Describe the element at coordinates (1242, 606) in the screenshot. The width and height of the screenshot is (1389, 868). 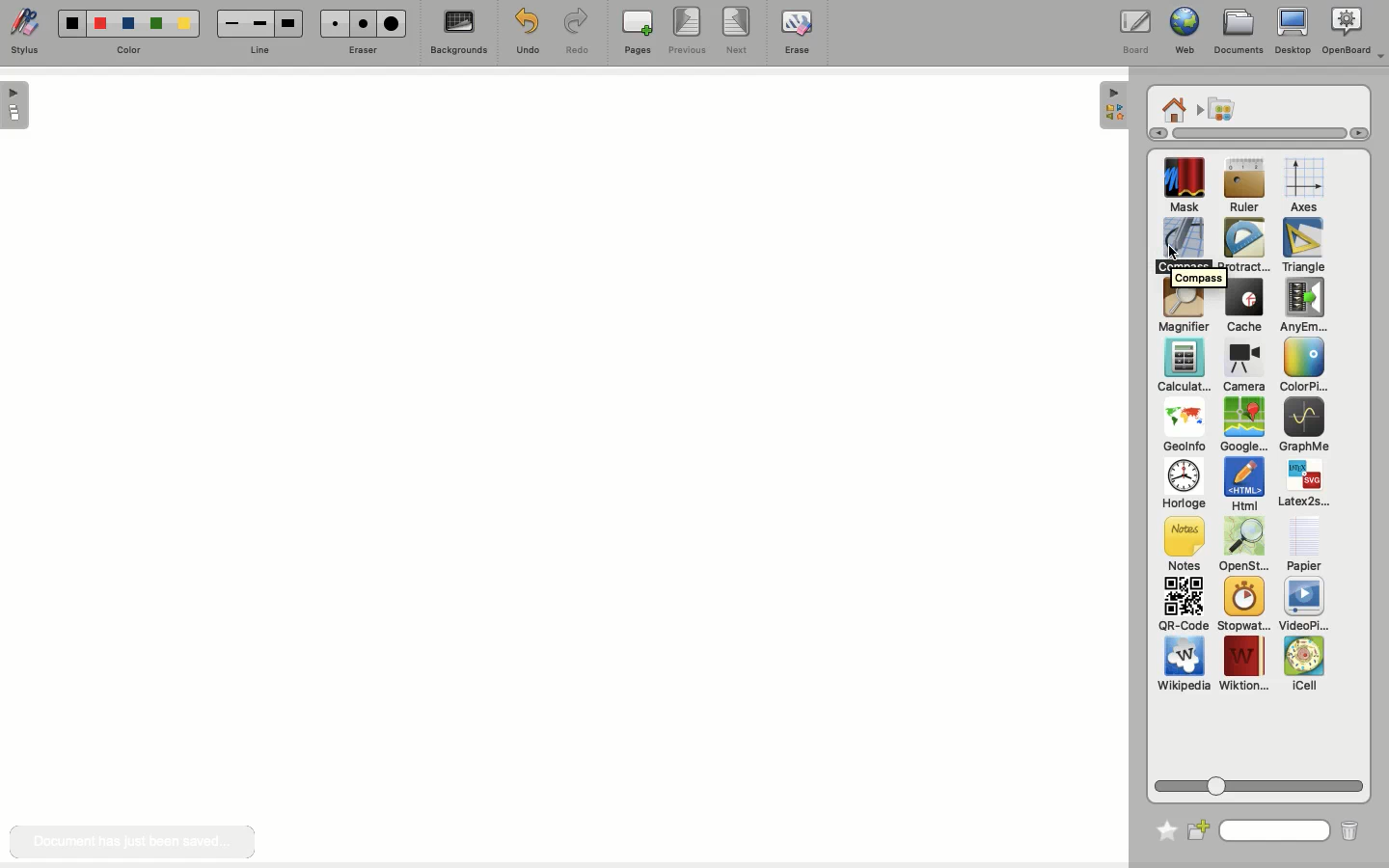
I see `Stopwatch` at that location.